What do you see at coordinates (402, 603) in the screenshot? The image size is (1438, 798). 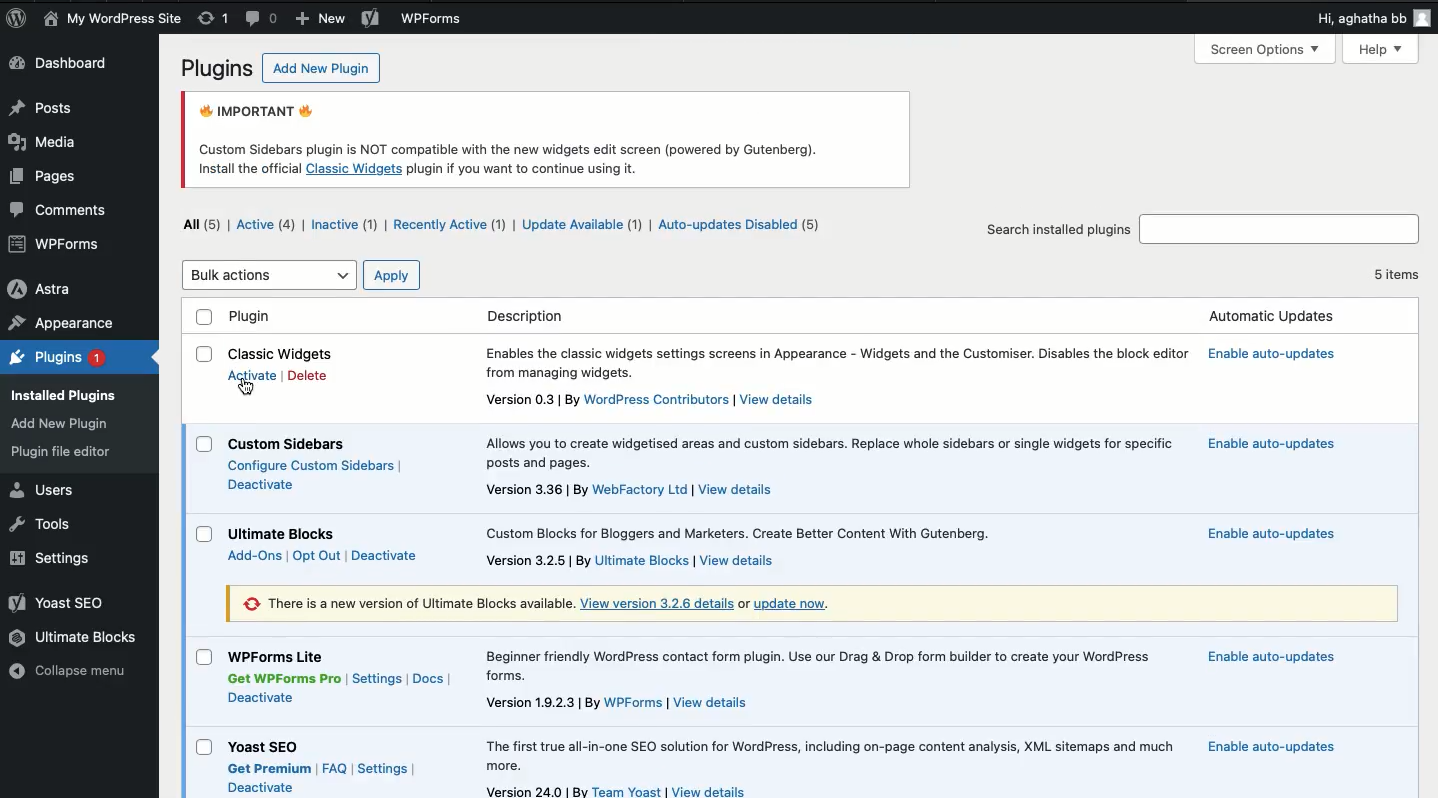 I see `note` at bounding box center [402, 603].